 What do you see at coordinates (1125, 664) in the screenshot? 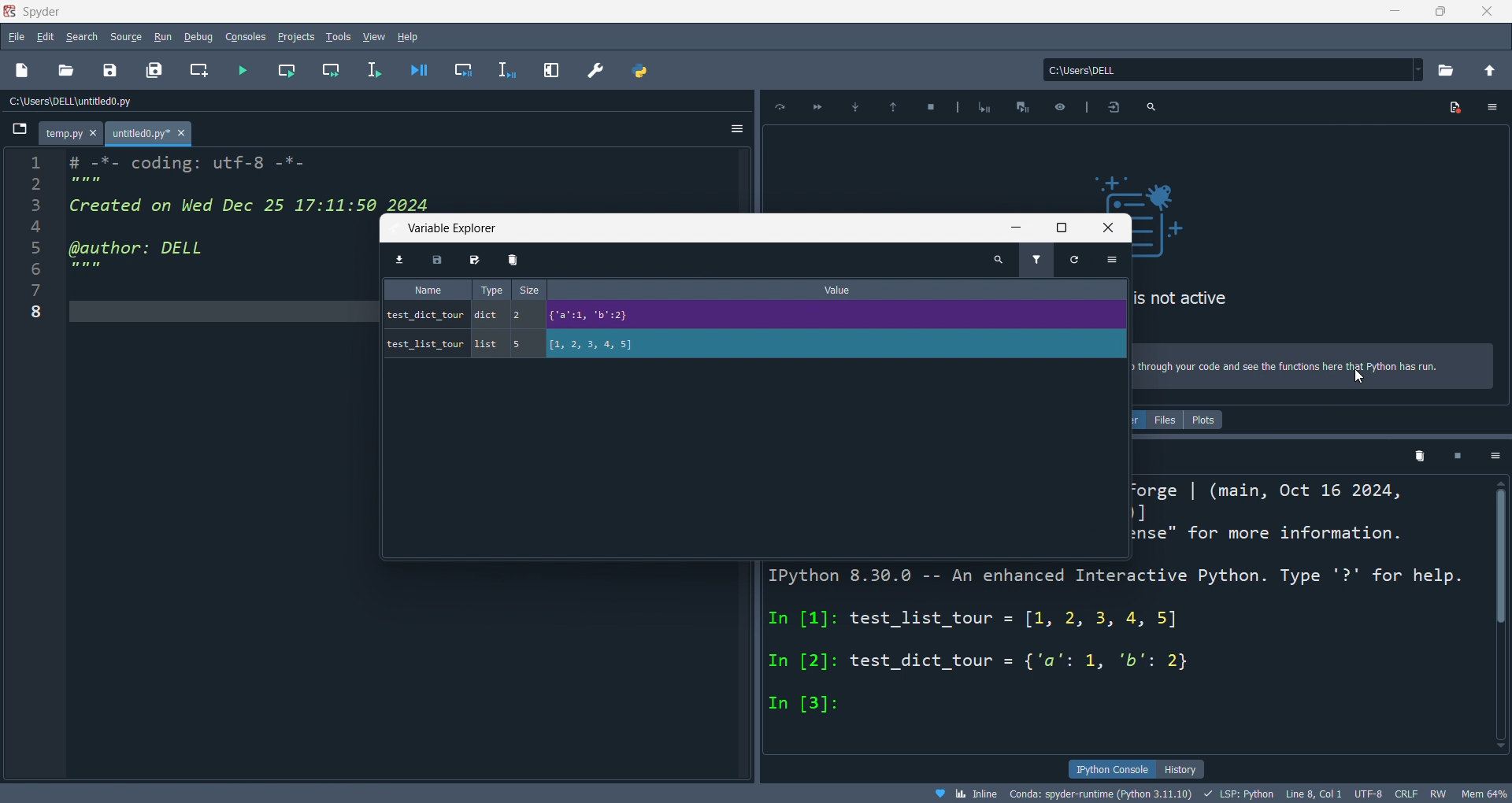
I see `ipython console pane` at bounding box center [1125, 664].